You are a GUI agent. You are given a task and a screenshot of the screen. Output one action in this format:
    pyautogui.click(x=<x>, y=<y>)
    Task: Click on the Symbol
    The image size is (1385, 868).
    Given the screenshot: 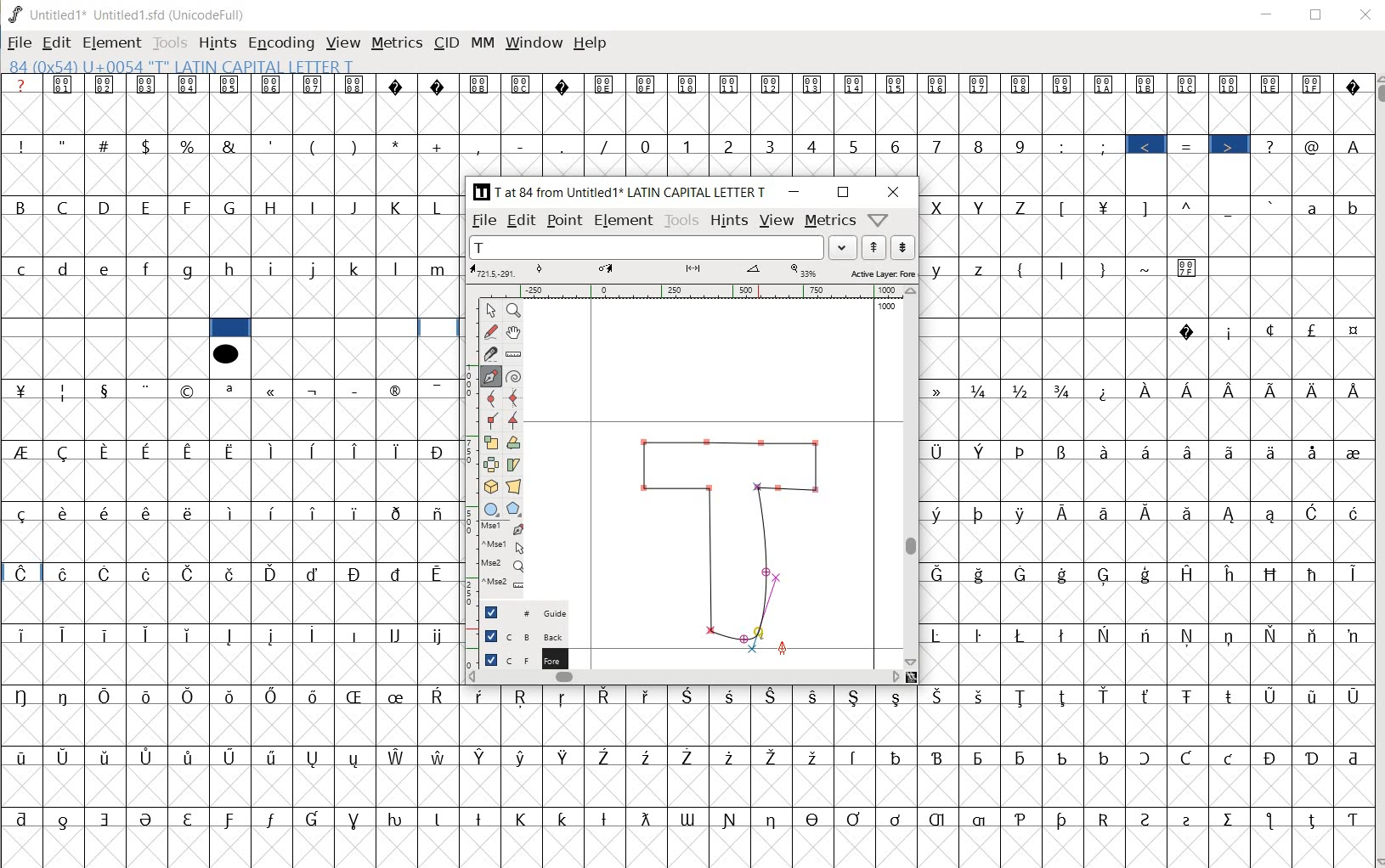 What is the action you would take?
    pyautogui.click(x=941, y=634)
    